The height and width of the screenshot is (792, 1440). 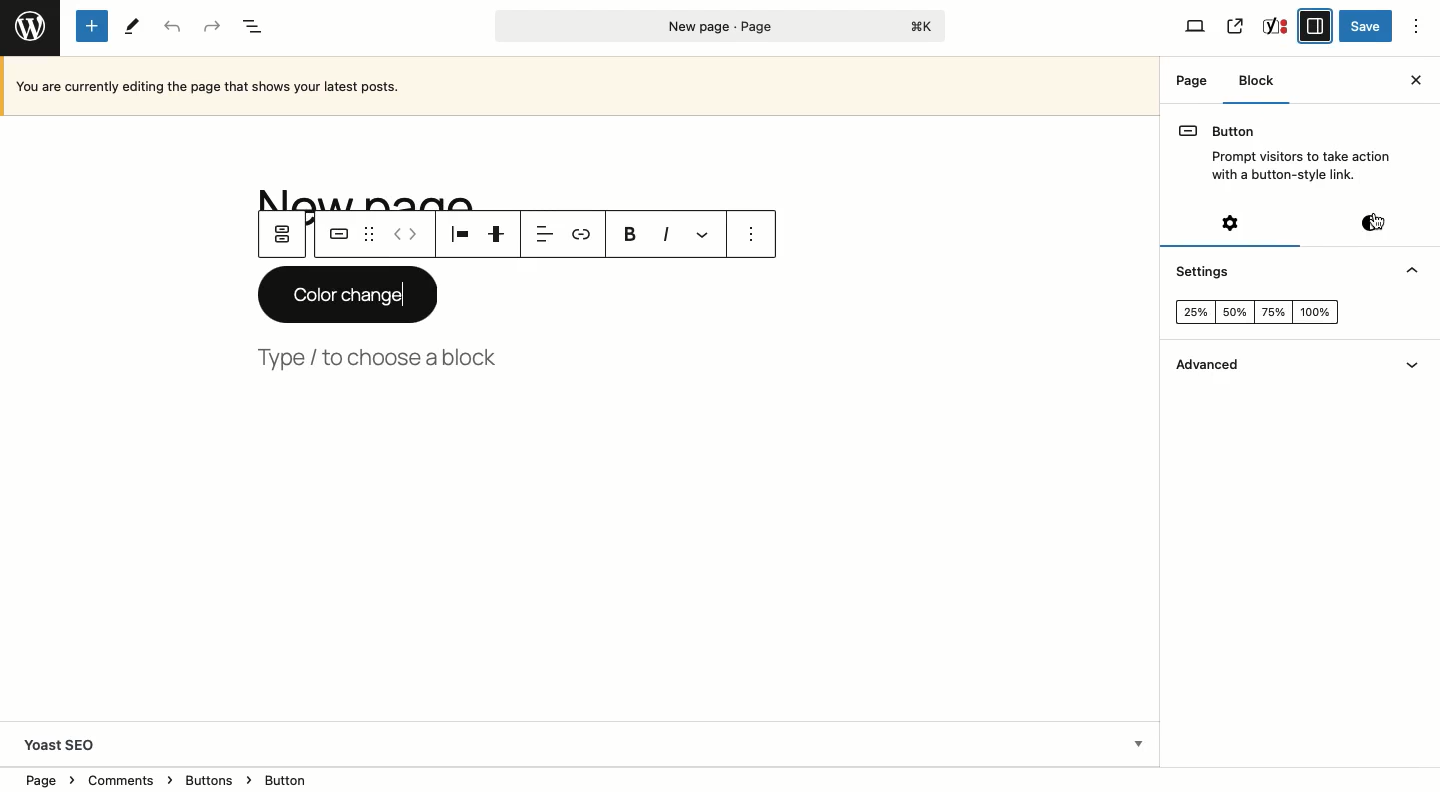 What do you see at coordinates (133, 26) in the screenshot?
I see `Tools` at bounding box center [133, 26].